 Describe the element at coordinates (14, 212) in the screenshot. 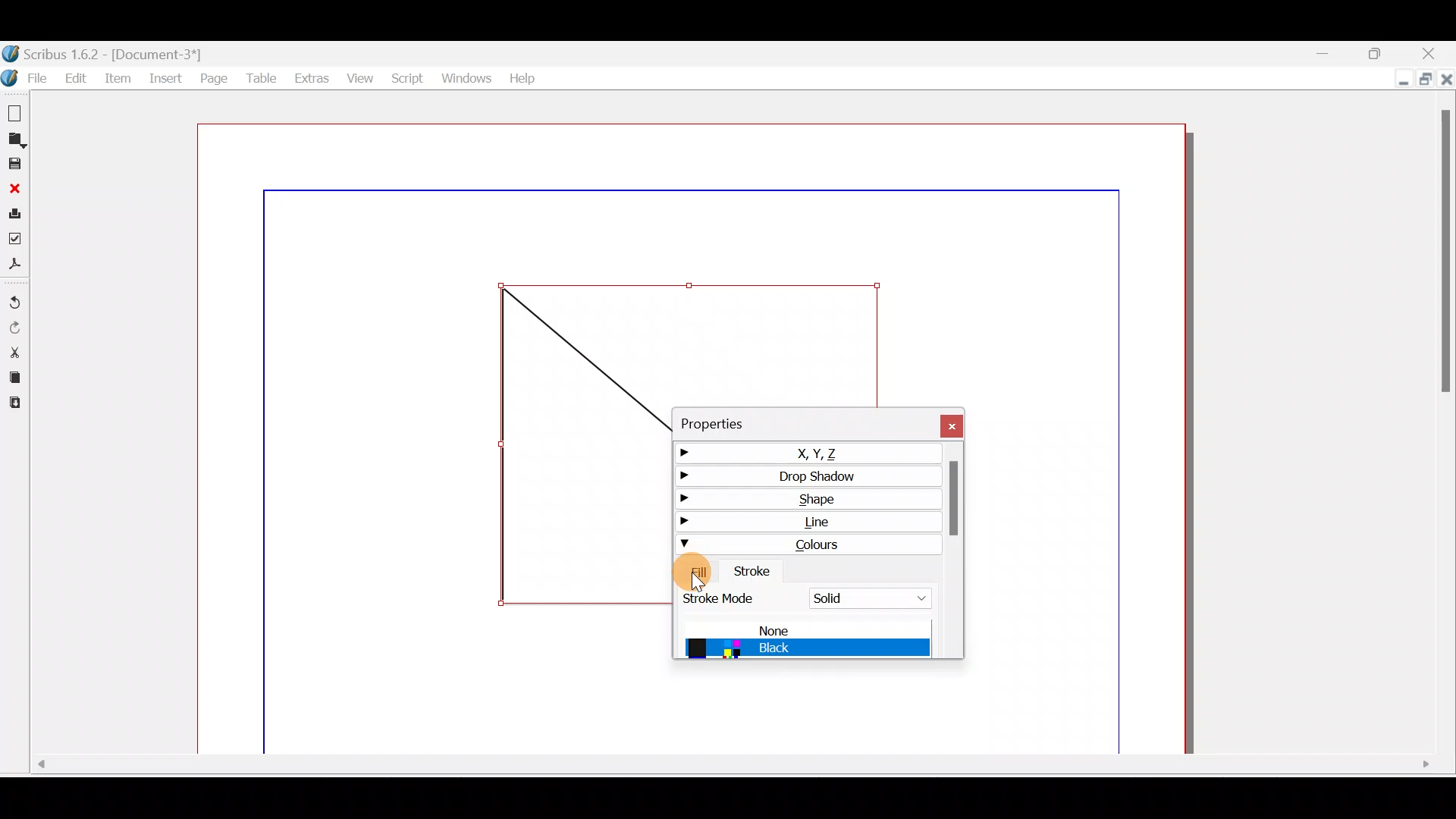

I see `Print` at that location.